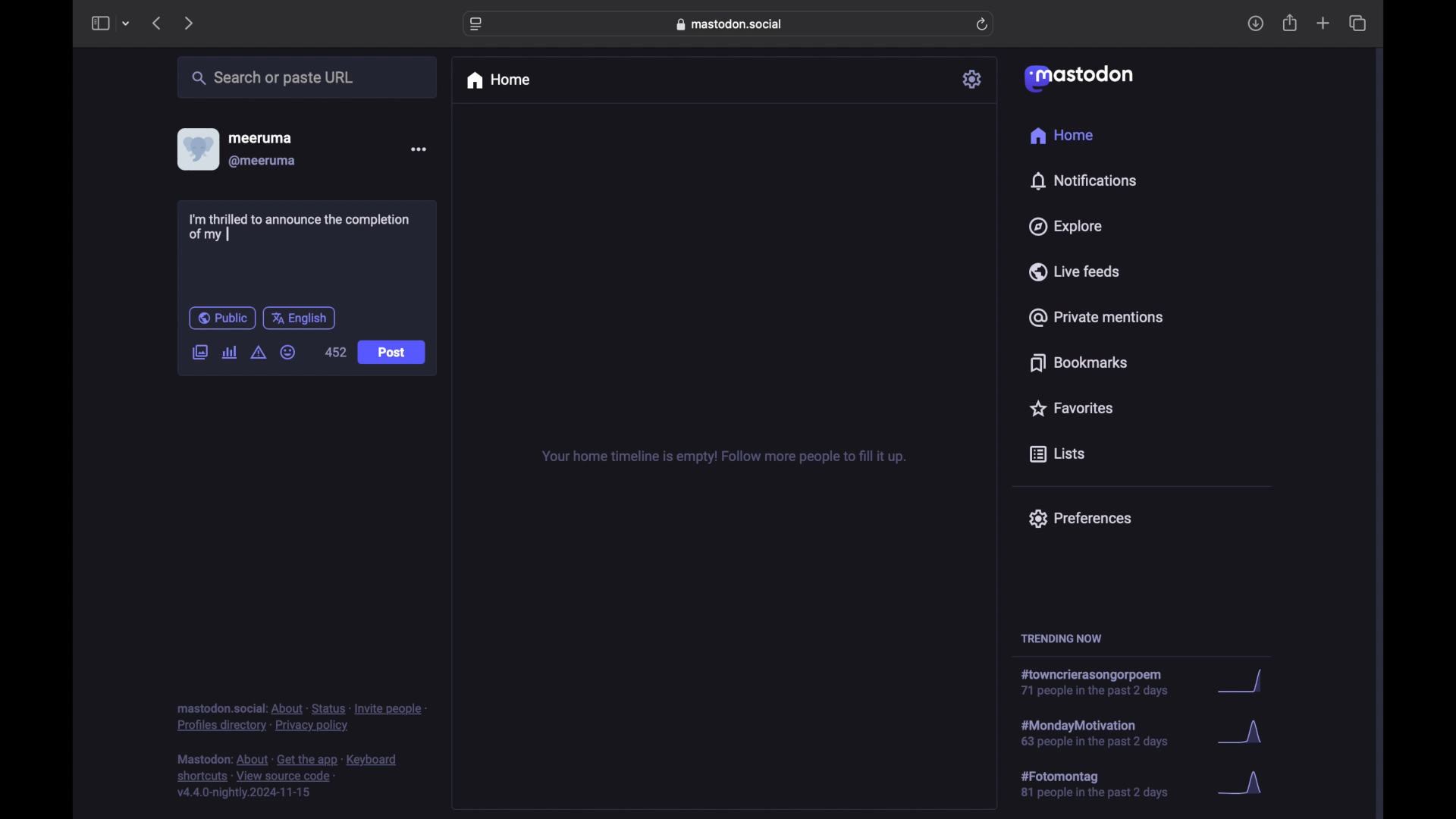 The image size is (1456, 819). I want to click on public, so click(222, 318).